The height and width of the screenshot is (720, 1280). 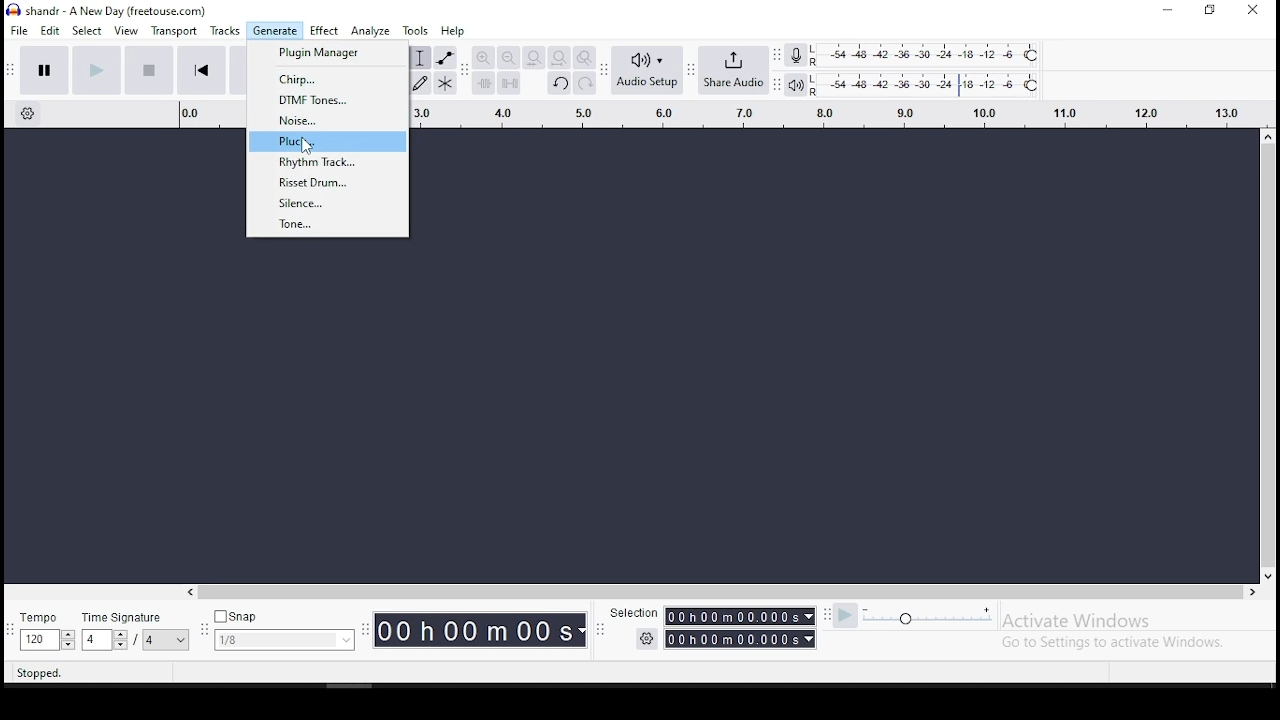 I want to click on rhythm track, so click(x=330, y=164).